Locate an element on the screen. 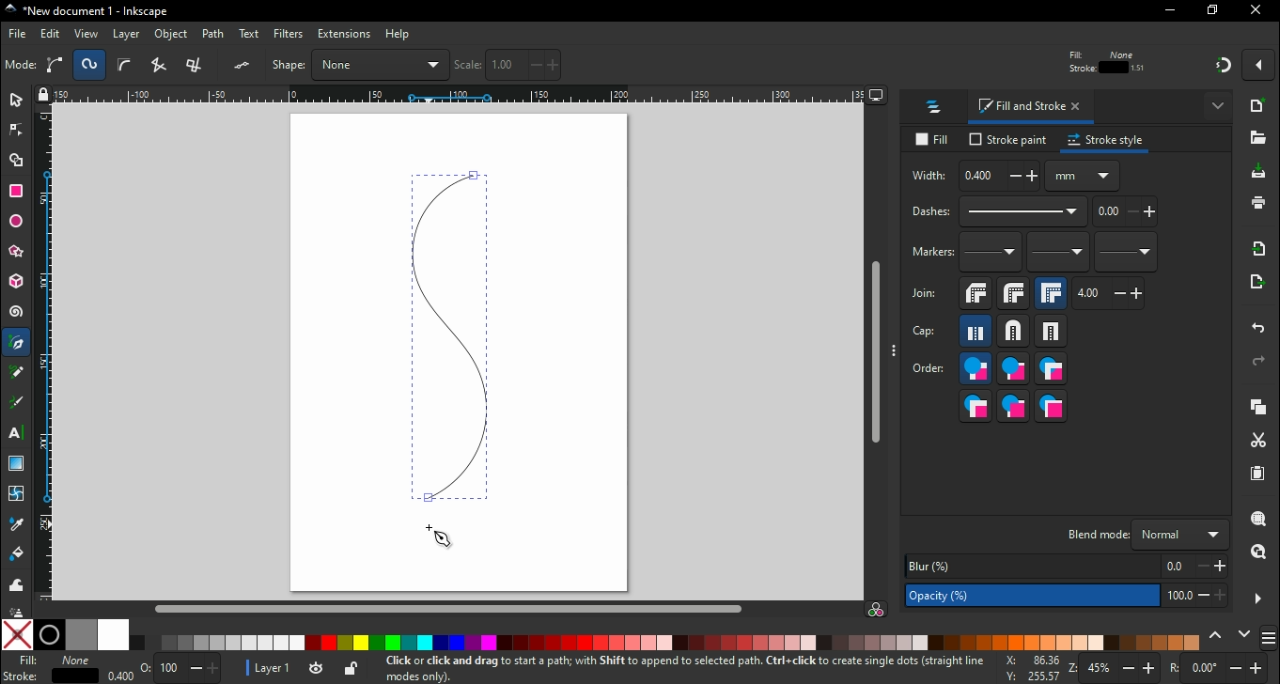 This screenshot has width=1280, height=684. end marker is located at coordinates (1128, 256).